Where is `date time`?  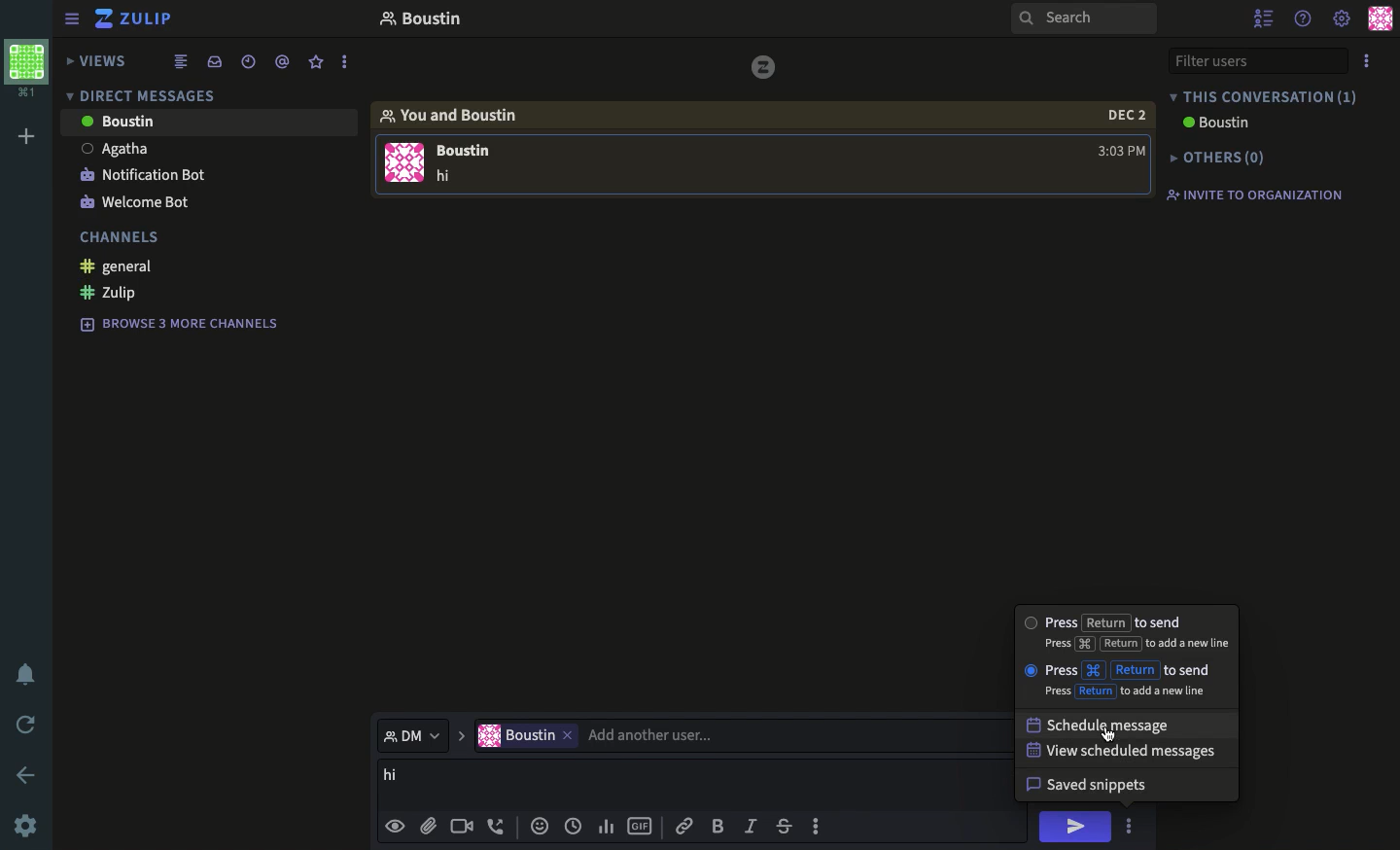
date time is located at coordinates (250, 62).